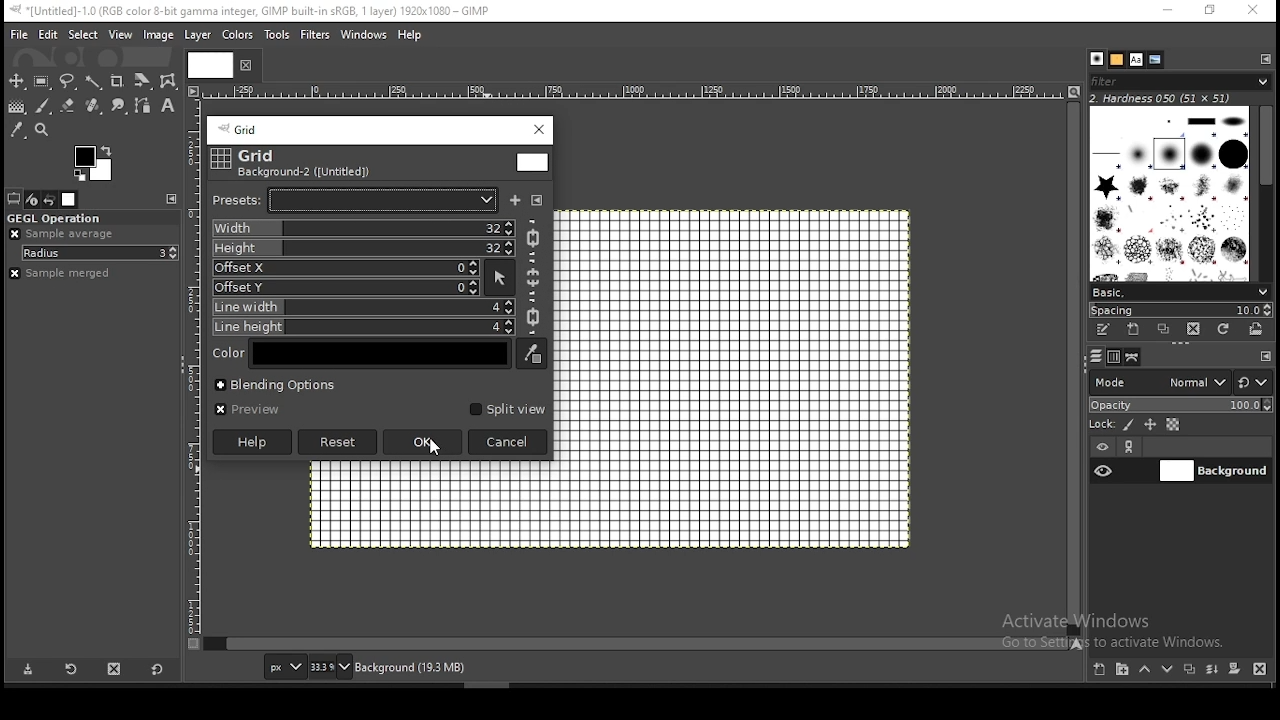  What do you see at coordinates (70, 200) in the screenshot?
I see `images` at bounding box center [70, 200].